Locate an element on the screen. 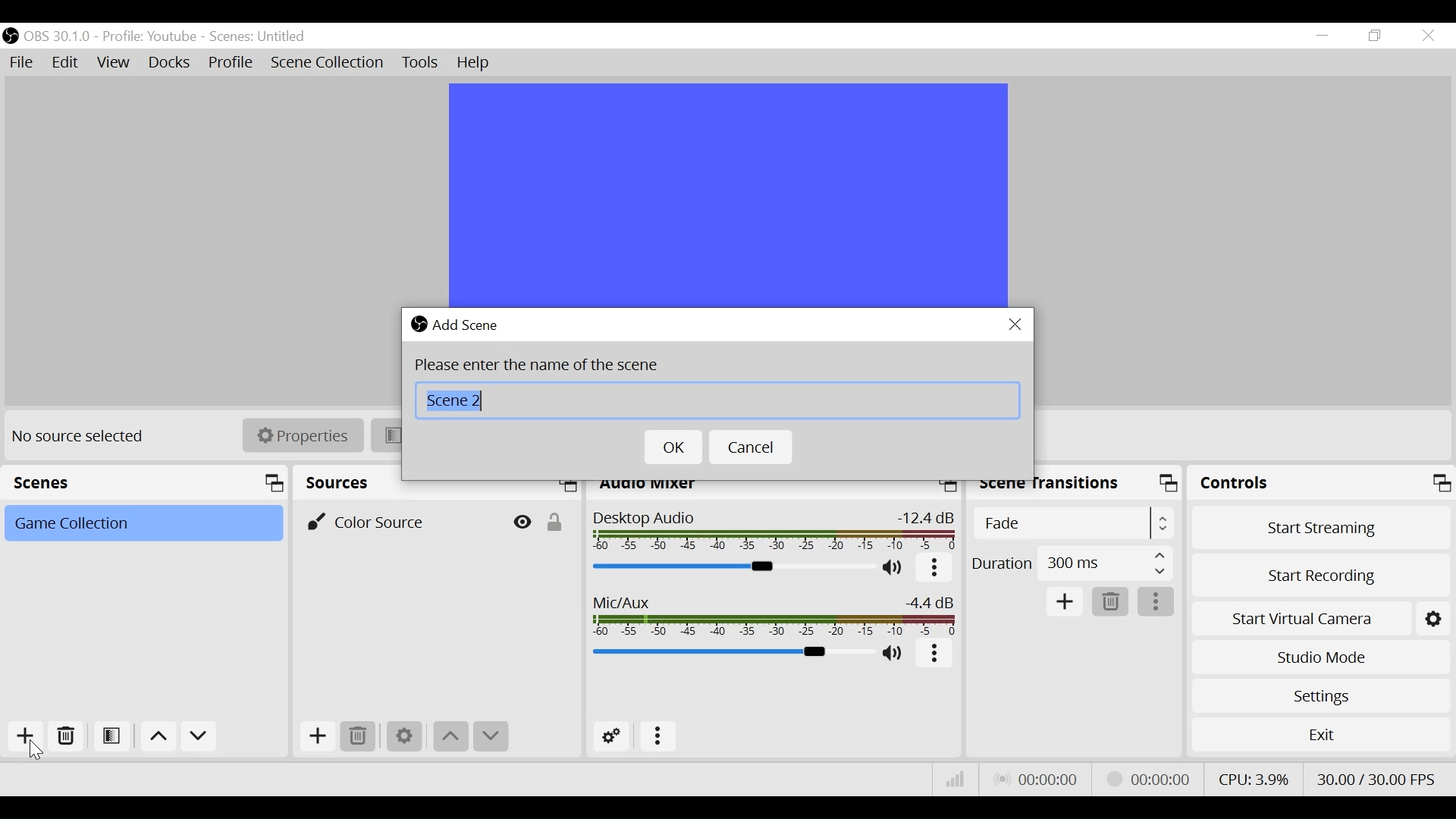 The height and width of the screenshot is (819, 1456). Desktop Audio is located at coordinates (775, 532).